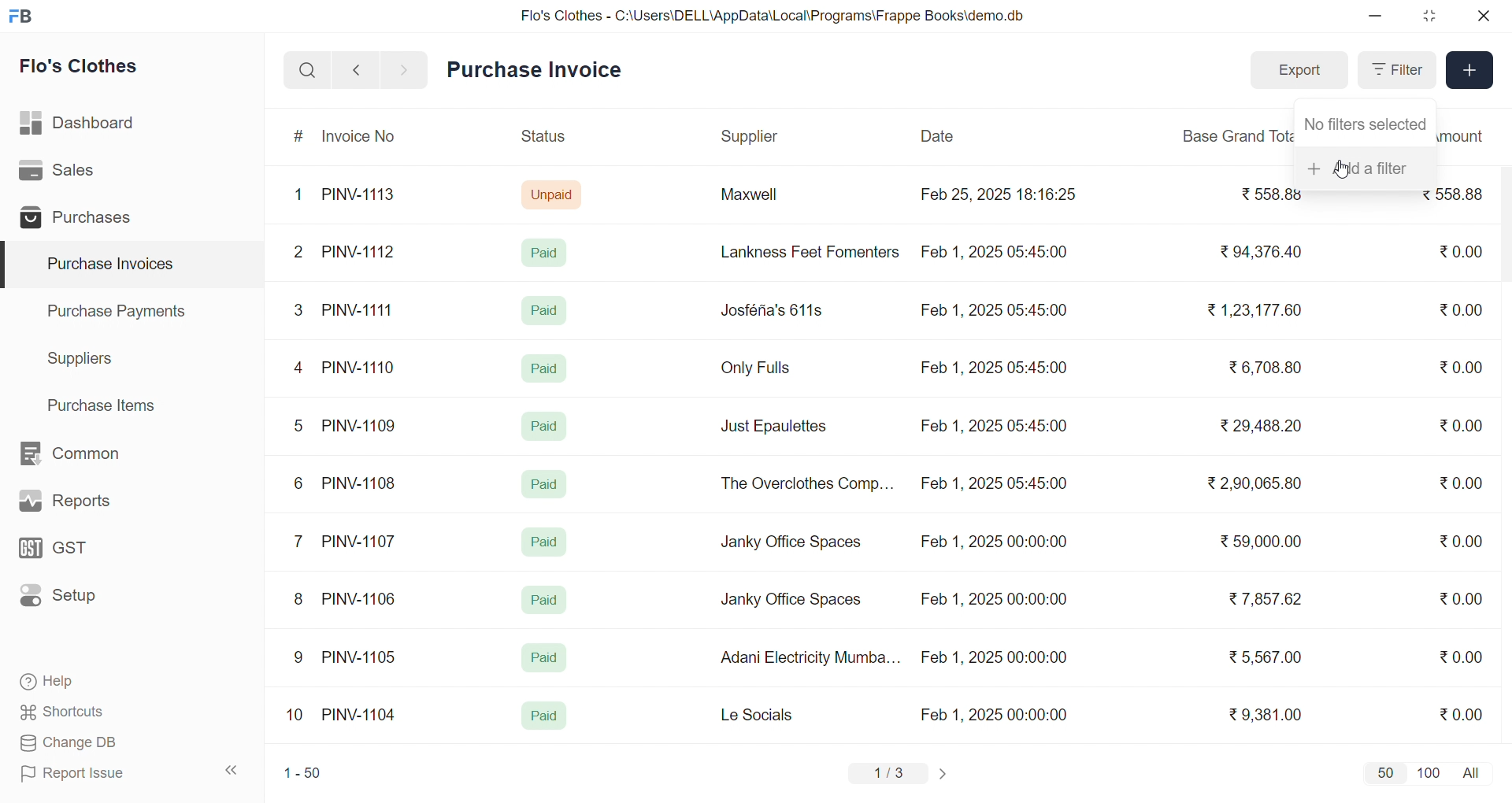 This screenshot has width=1512, height=803. Describe the element at coordinates (1458, 253) in the screenshot. I see `₹0.00` at that location.